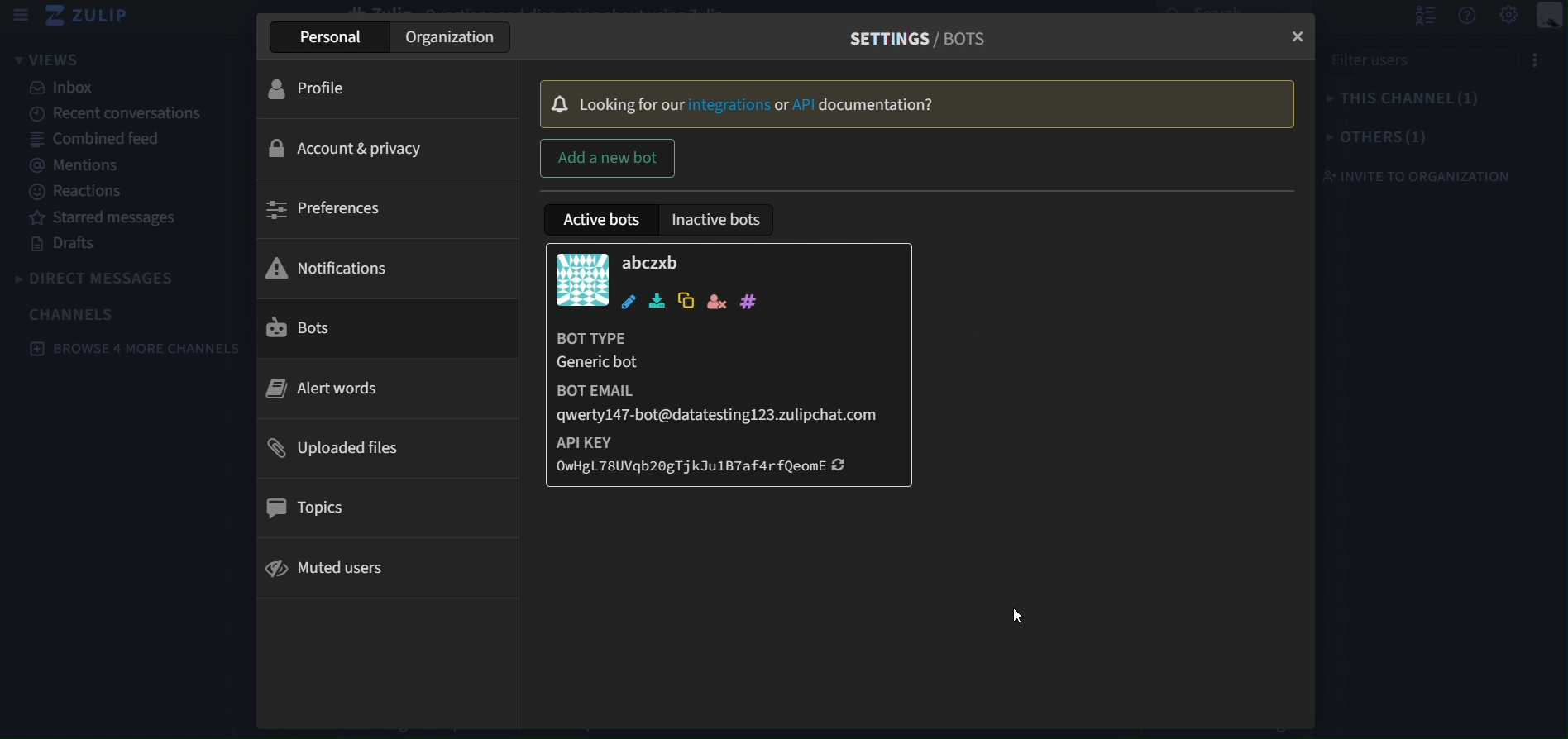 This screenshot has width=1568, height=739. I want to click on direct messages, so click(100, 279).